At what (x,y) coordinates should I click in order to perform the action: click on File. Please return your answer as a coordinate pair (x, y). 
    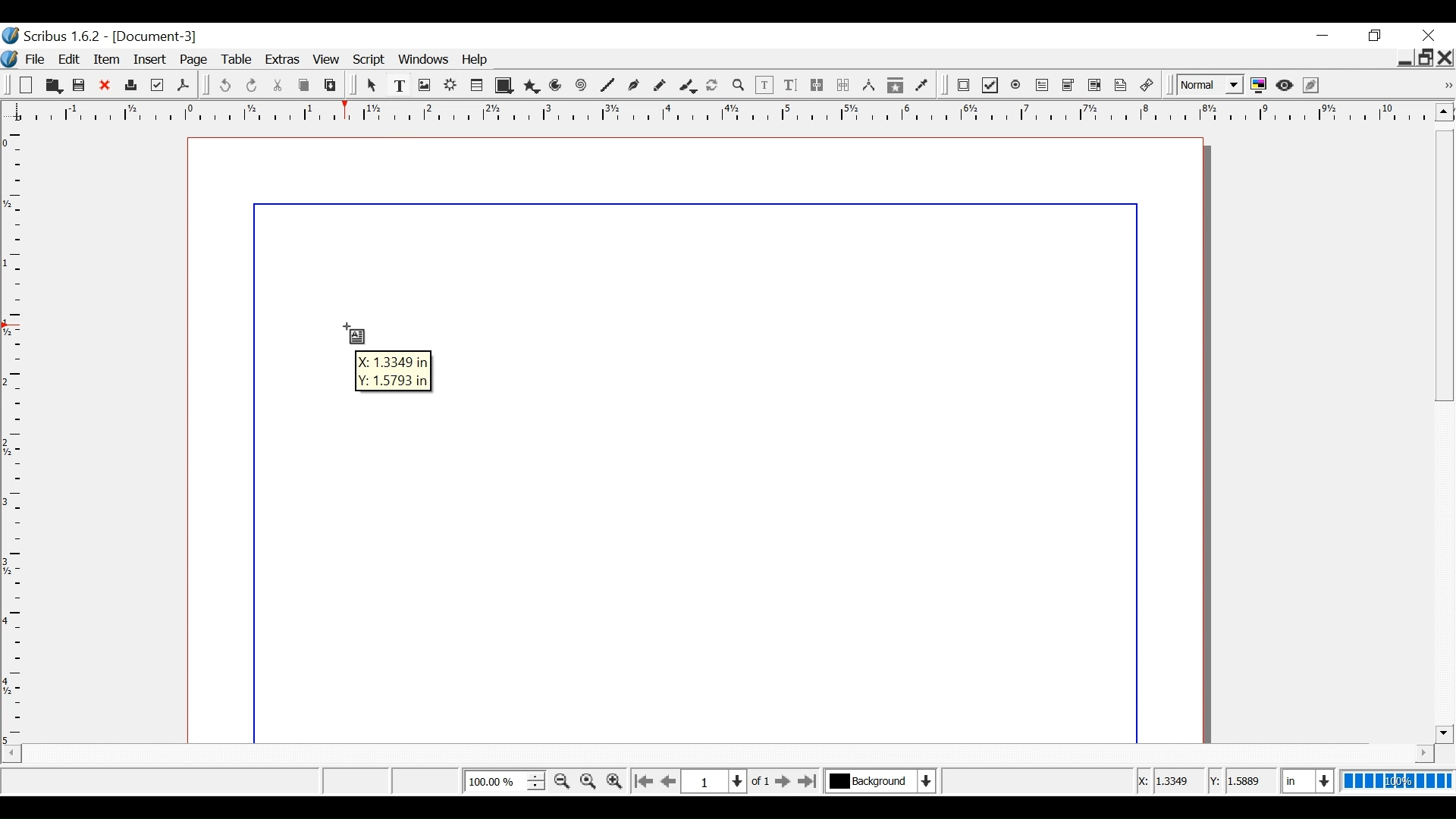
    Looking at the image, I should click on (35, 59).